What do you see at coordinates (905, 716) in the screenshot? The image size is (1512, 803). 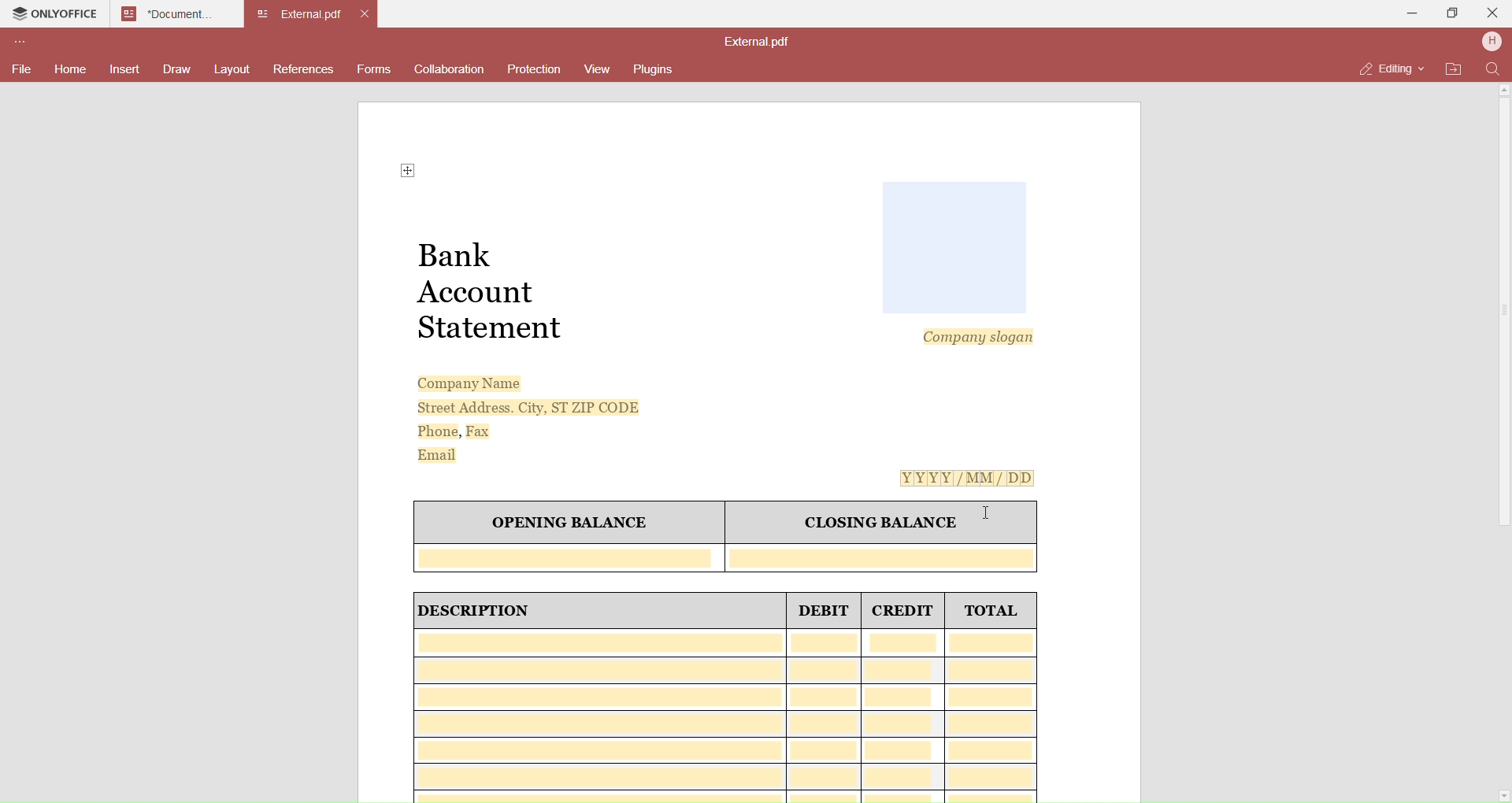 I see `credit cell` at bounding box center [905, 716].